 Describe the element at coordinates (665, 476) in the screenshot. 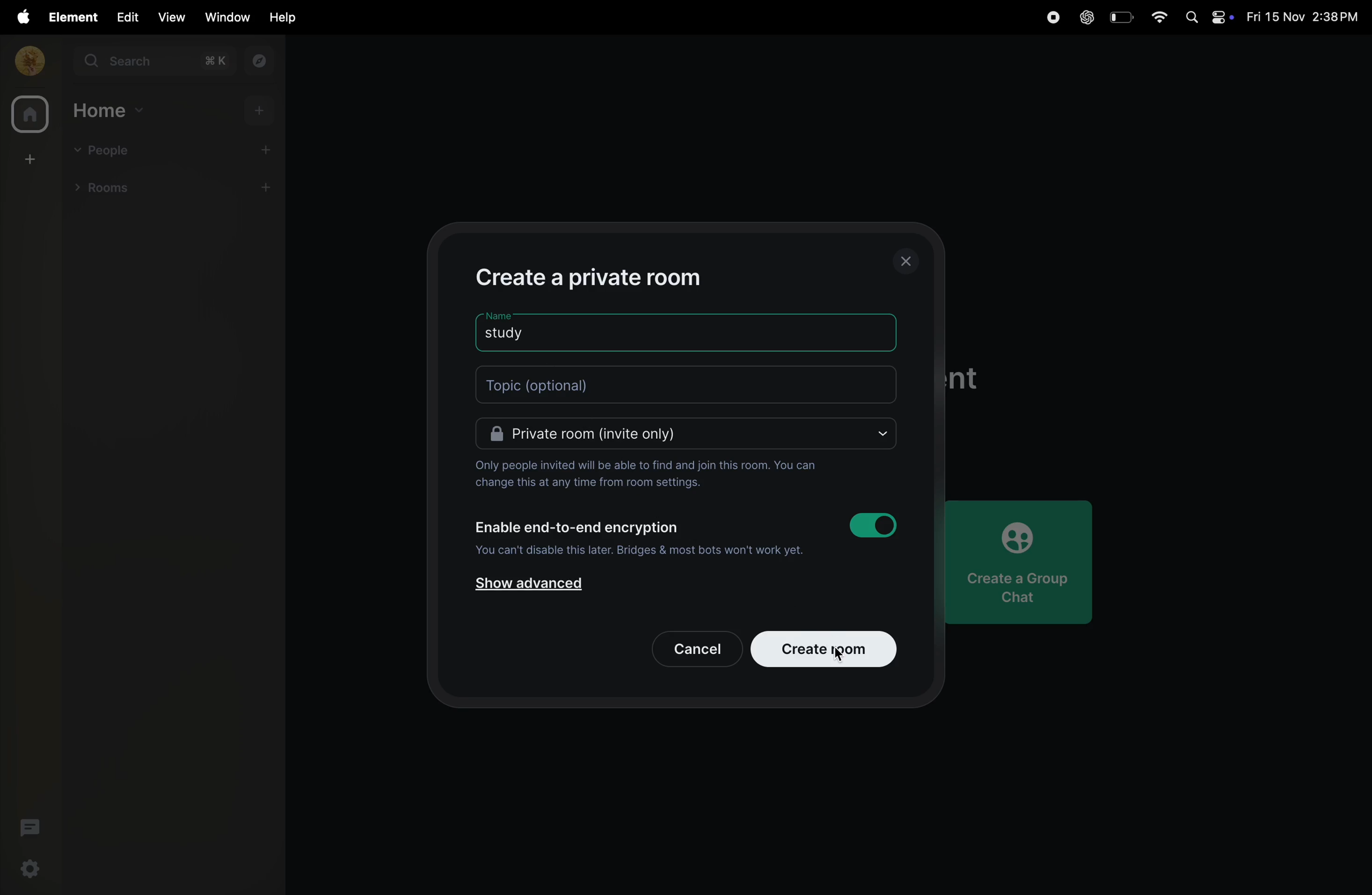

I see `Only people invited will be able to find and join this room. You can
change this at any time from room settings.` at that location.